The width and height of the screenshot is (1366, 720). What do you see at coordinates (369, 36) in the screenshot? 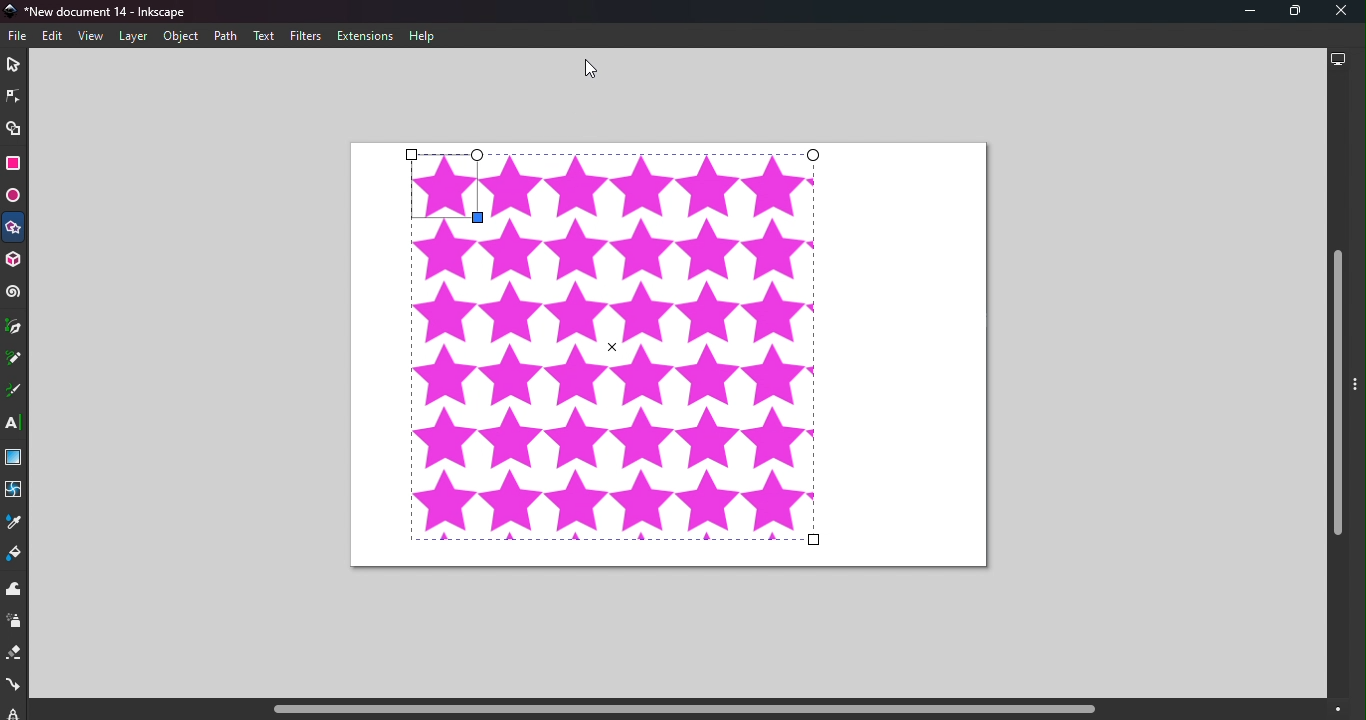
I see `Extensions` at bounding box center [369, 36].